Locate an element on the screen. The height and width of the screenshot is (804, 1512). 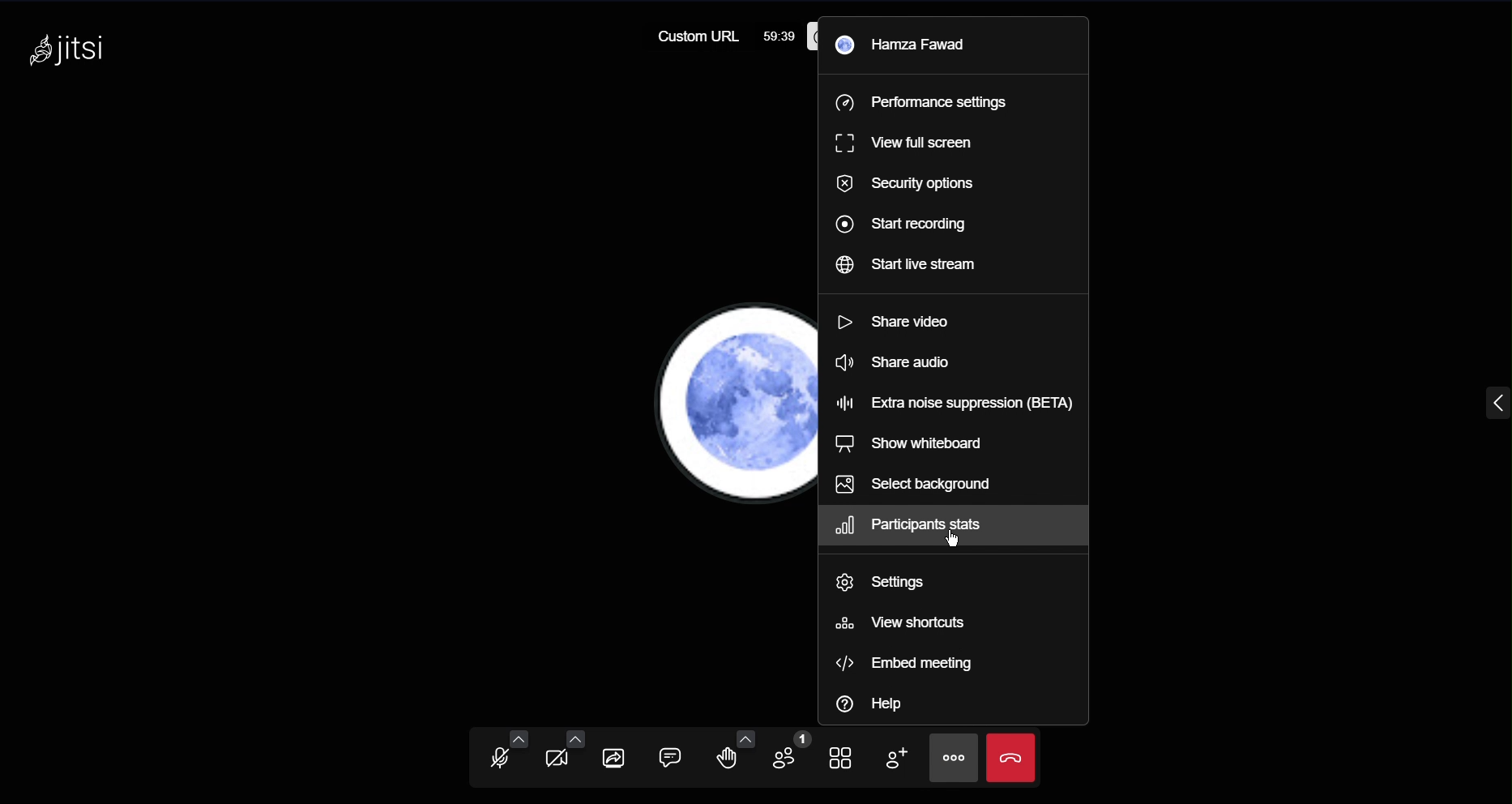
Audio is located at coordinates (498, 756).